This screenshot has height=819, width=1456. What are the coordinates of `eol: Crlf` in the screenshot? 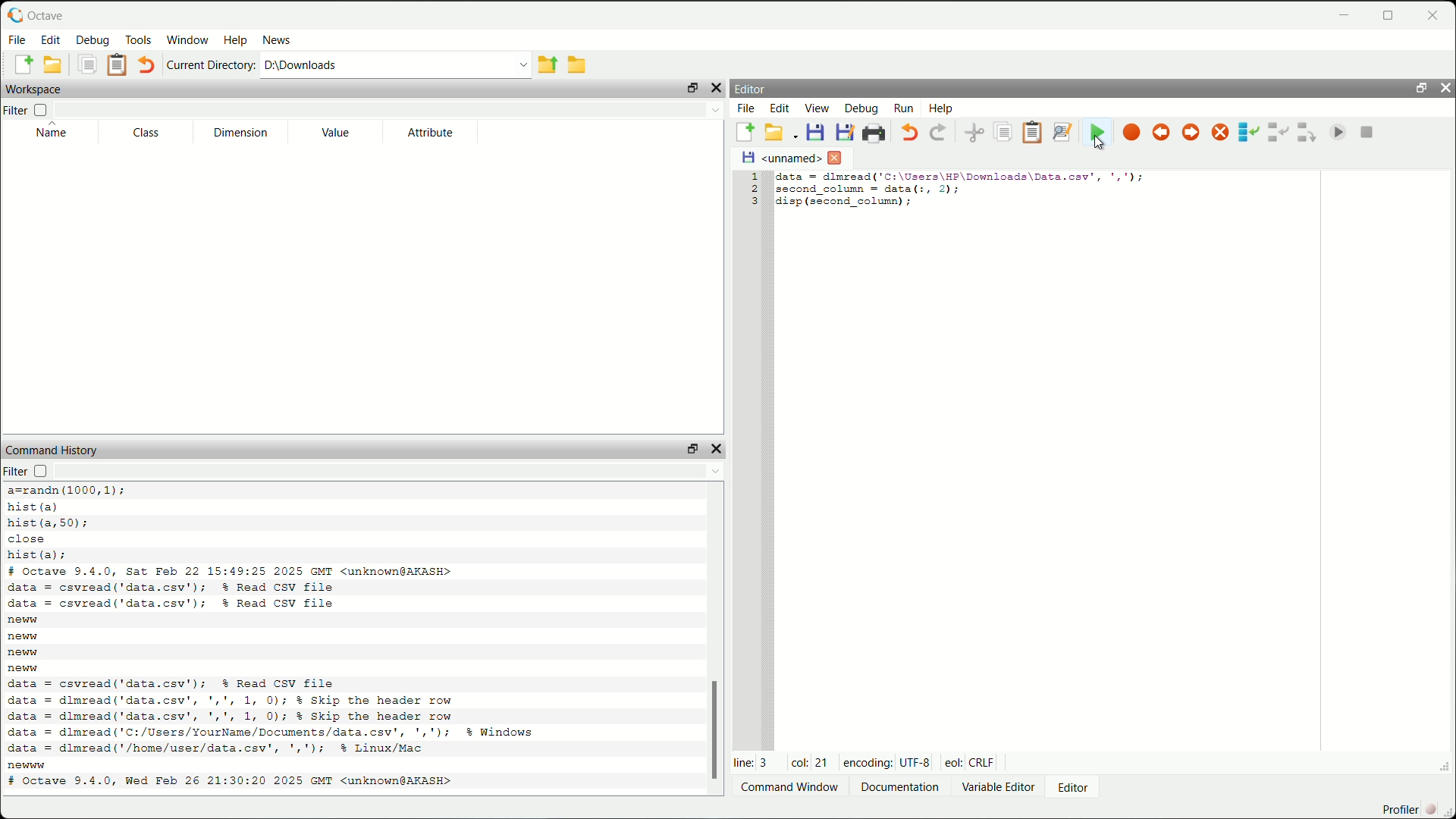 It's located at (971, 761).